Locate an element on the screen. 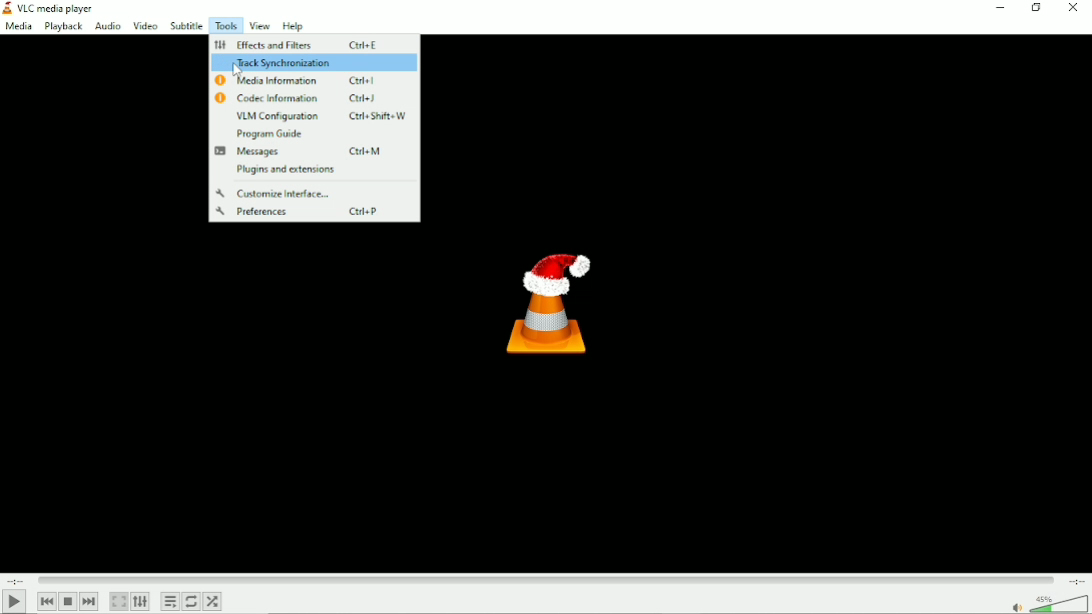 This screenshot has height=614, width=1092. Minimize is located at coordinates (998, 7).